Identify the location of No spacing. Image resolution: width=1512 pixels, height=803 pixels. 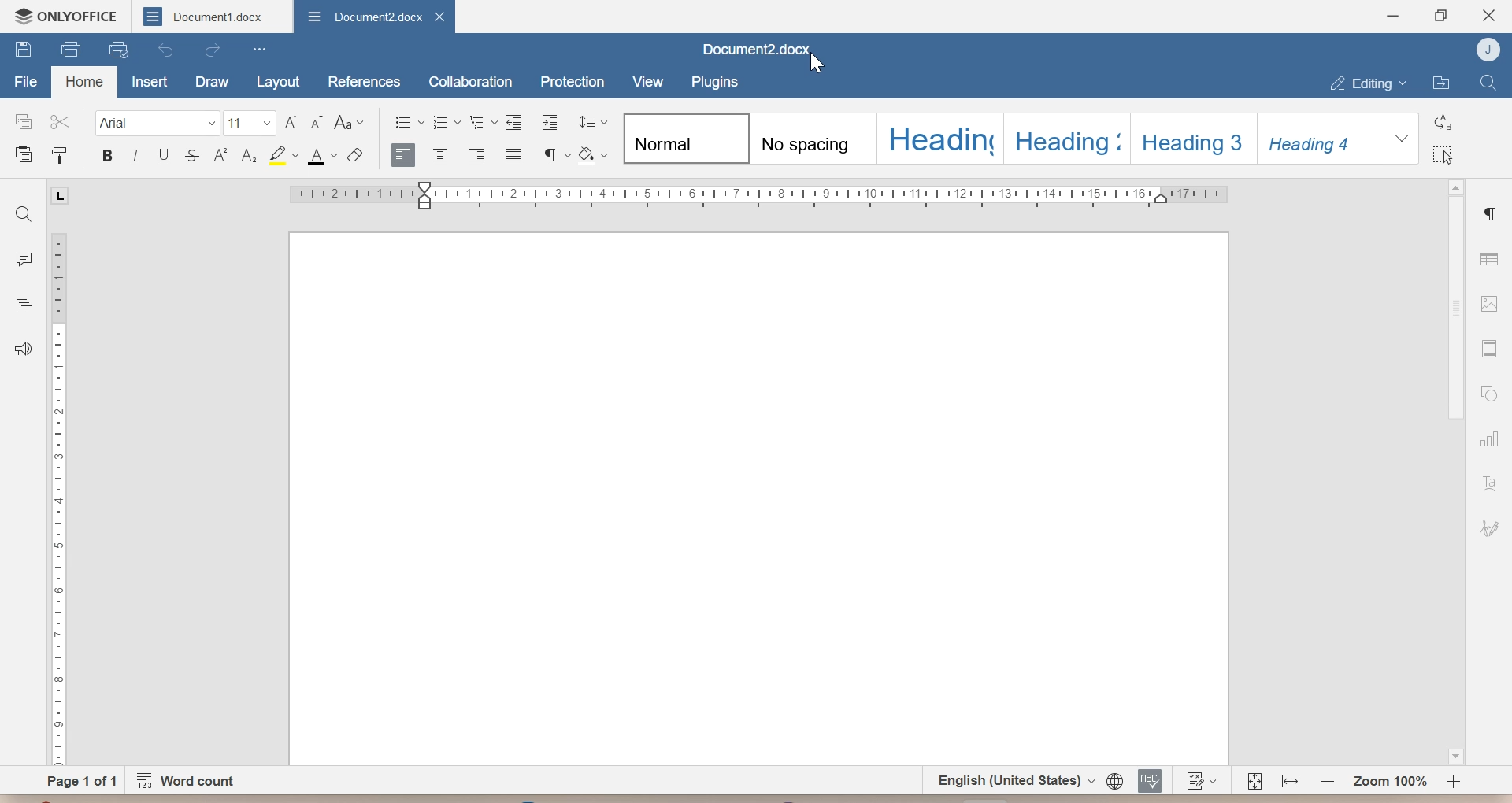
(817, 139).